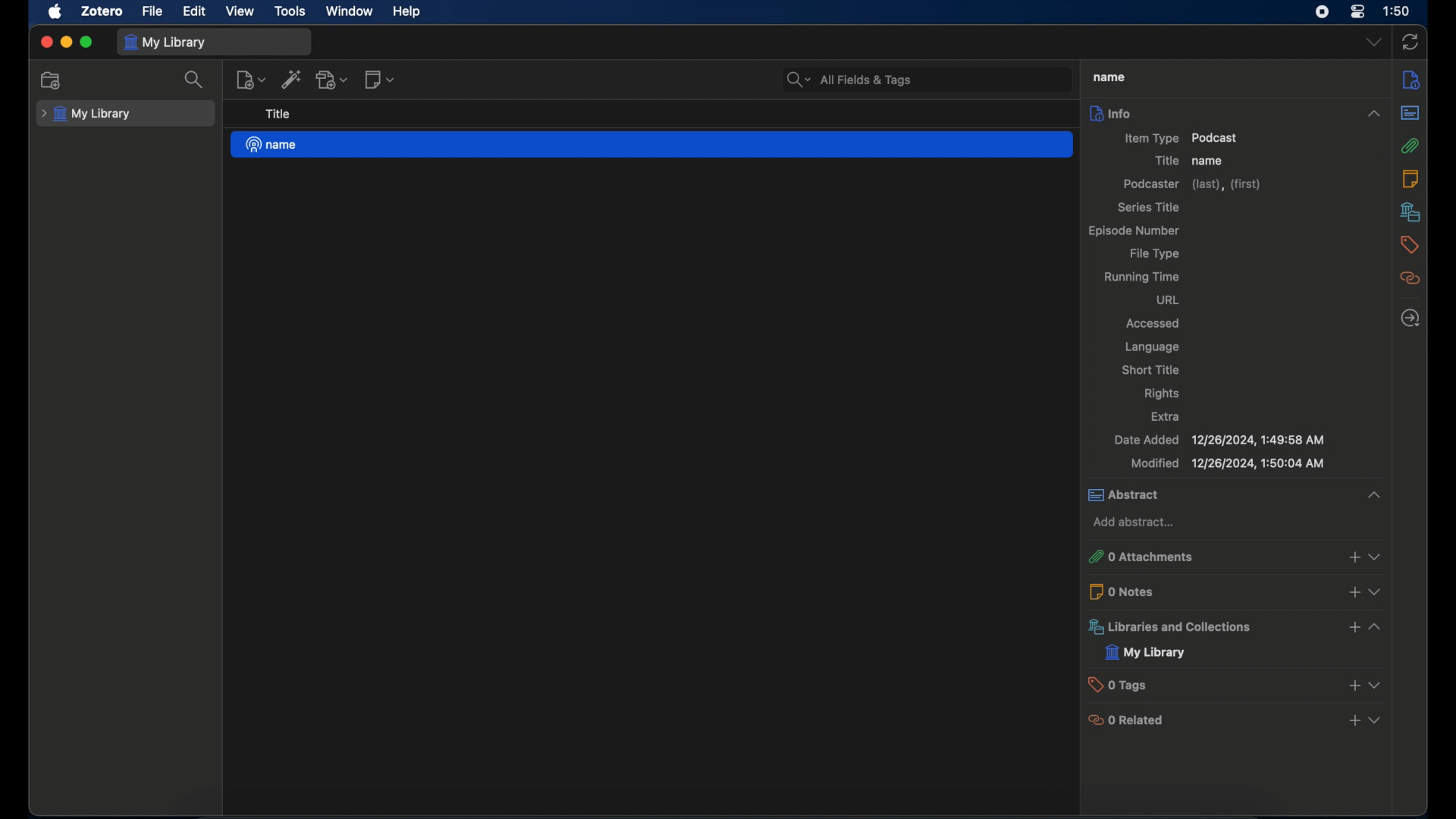  What do you see at coordinates (279, 114) in the screenshot?
I see `title ` at bounding box center [279, 114].